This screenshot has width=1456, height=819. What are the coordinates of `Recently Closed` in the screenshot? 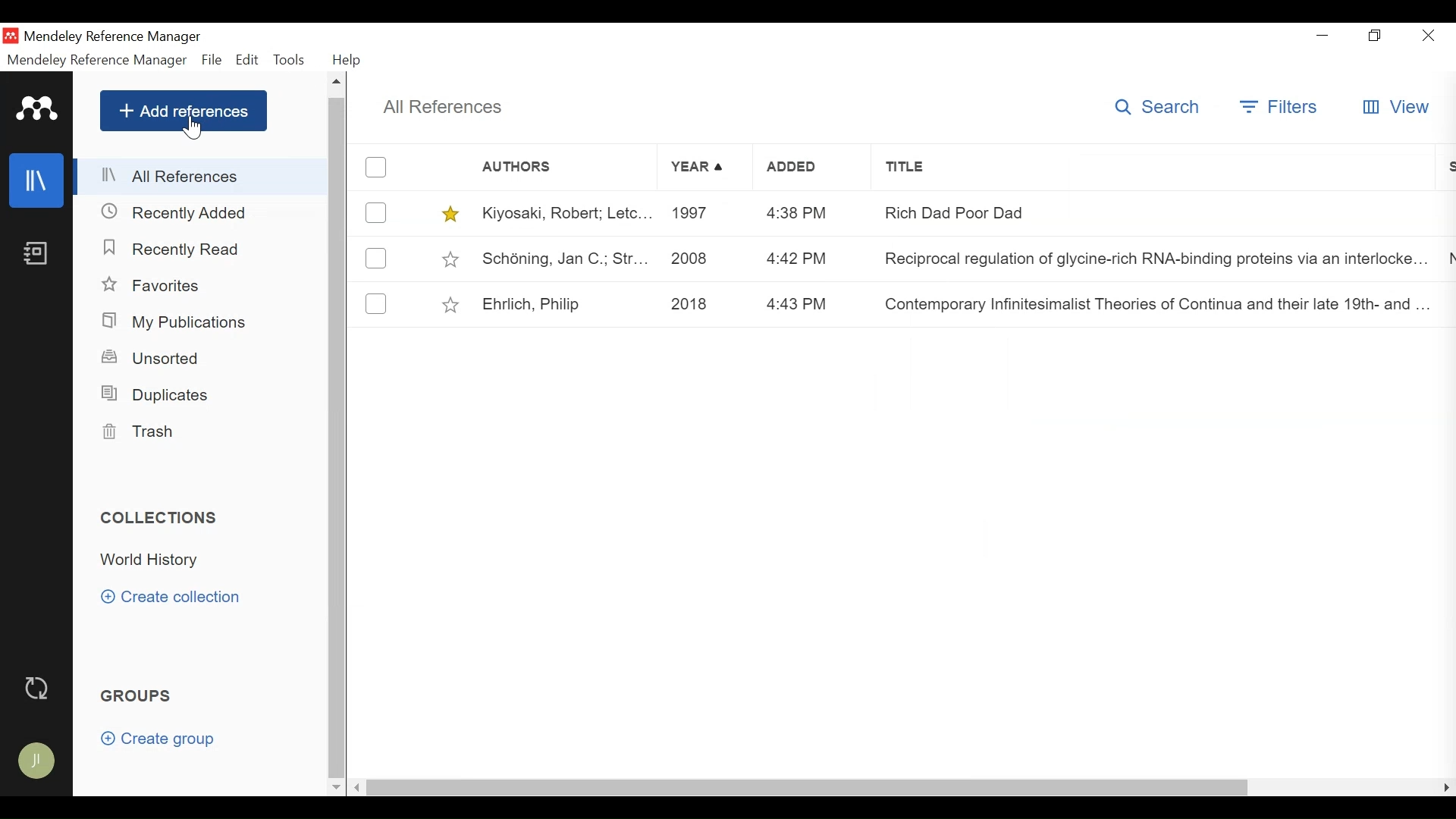 It's located at (176, 251).